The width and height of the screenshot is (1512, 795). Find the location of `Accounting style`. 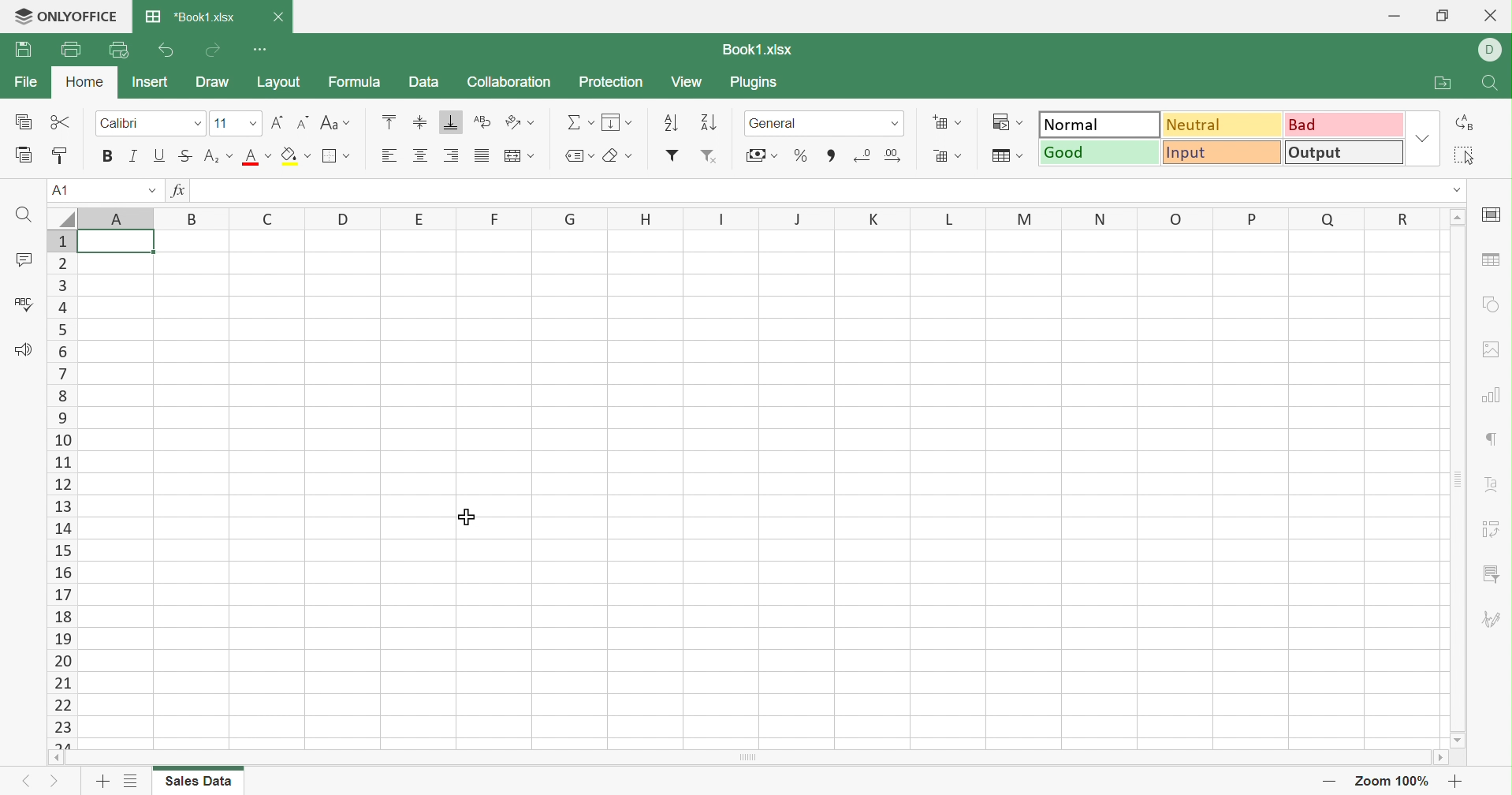

Accounting style is located at coordinates (760, 155).